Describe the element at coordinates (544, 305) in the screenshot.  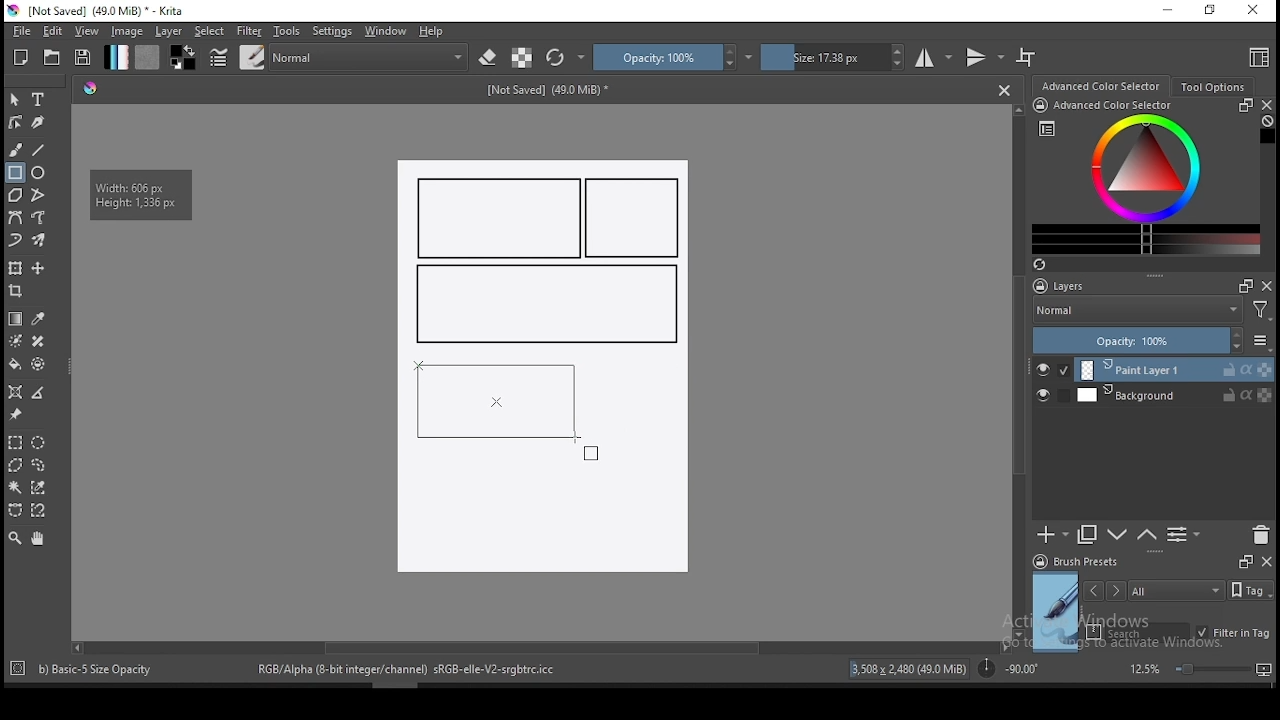
I see `new rectangle` at that location.